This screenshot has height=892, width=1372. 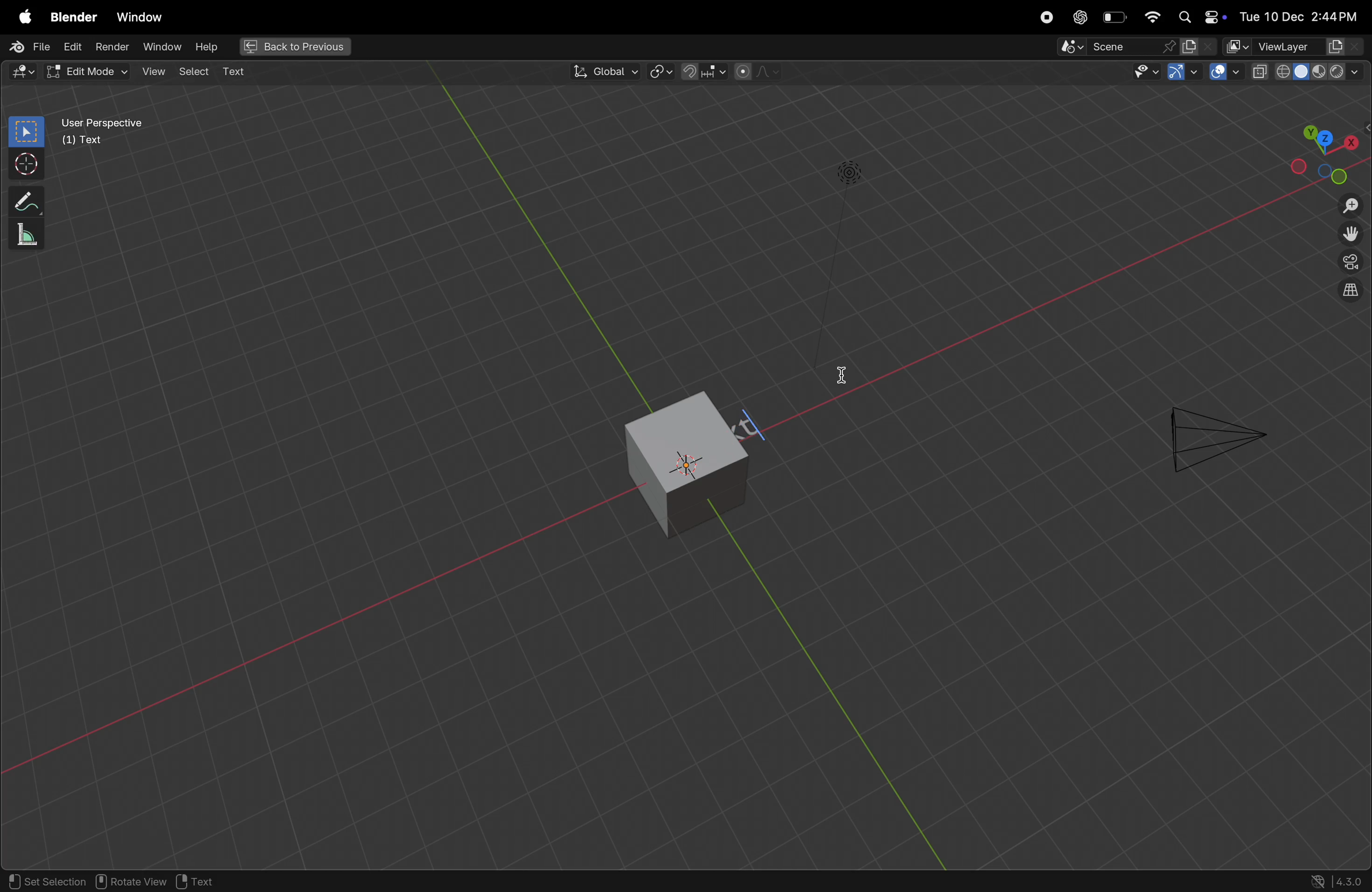 I want to click on help, so click(x=212, y=46).